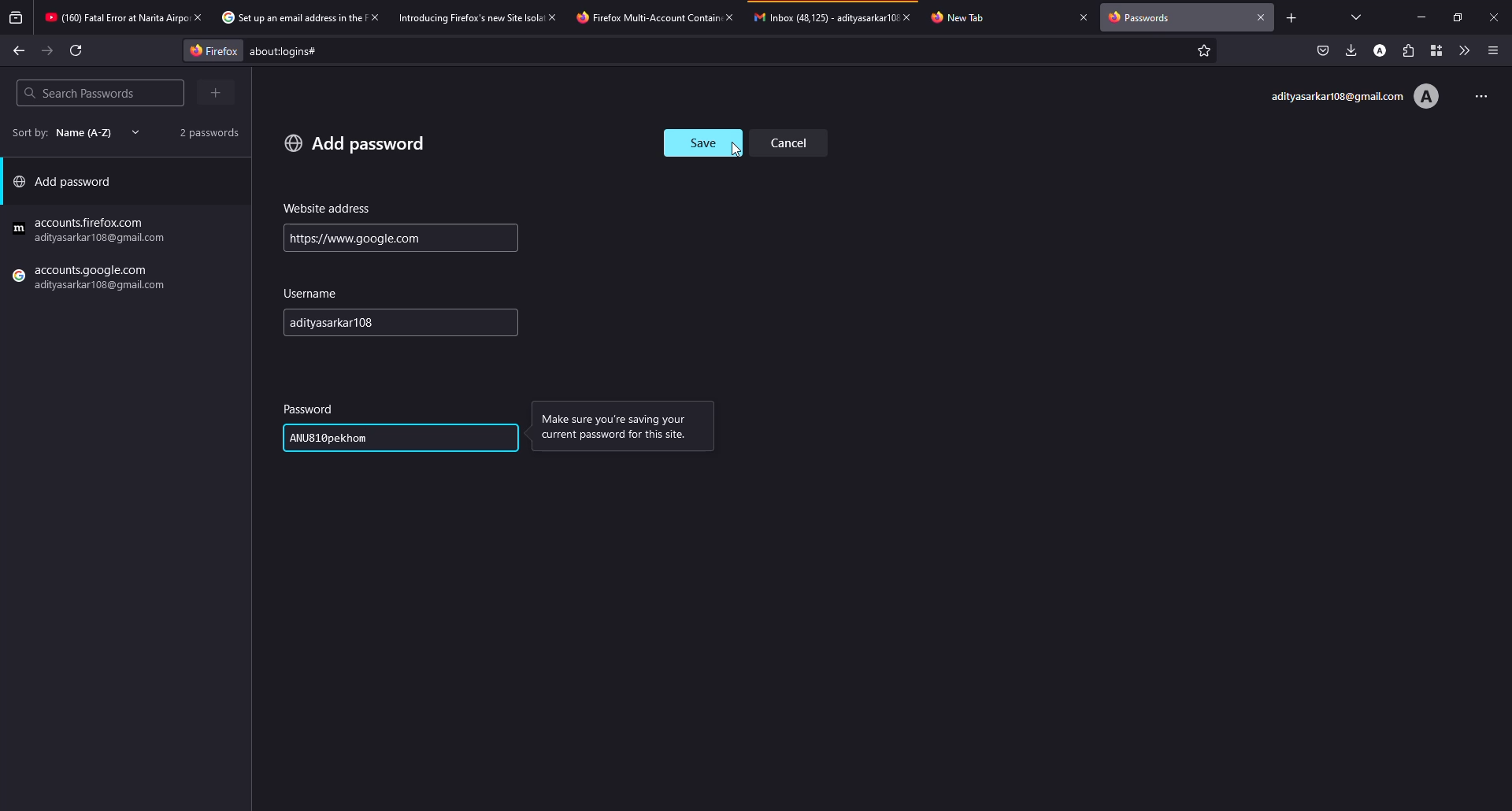 The image size is (1512, 811). Describe the element at coordinates (728, 17) in the screenshot. I see `close` at that location.